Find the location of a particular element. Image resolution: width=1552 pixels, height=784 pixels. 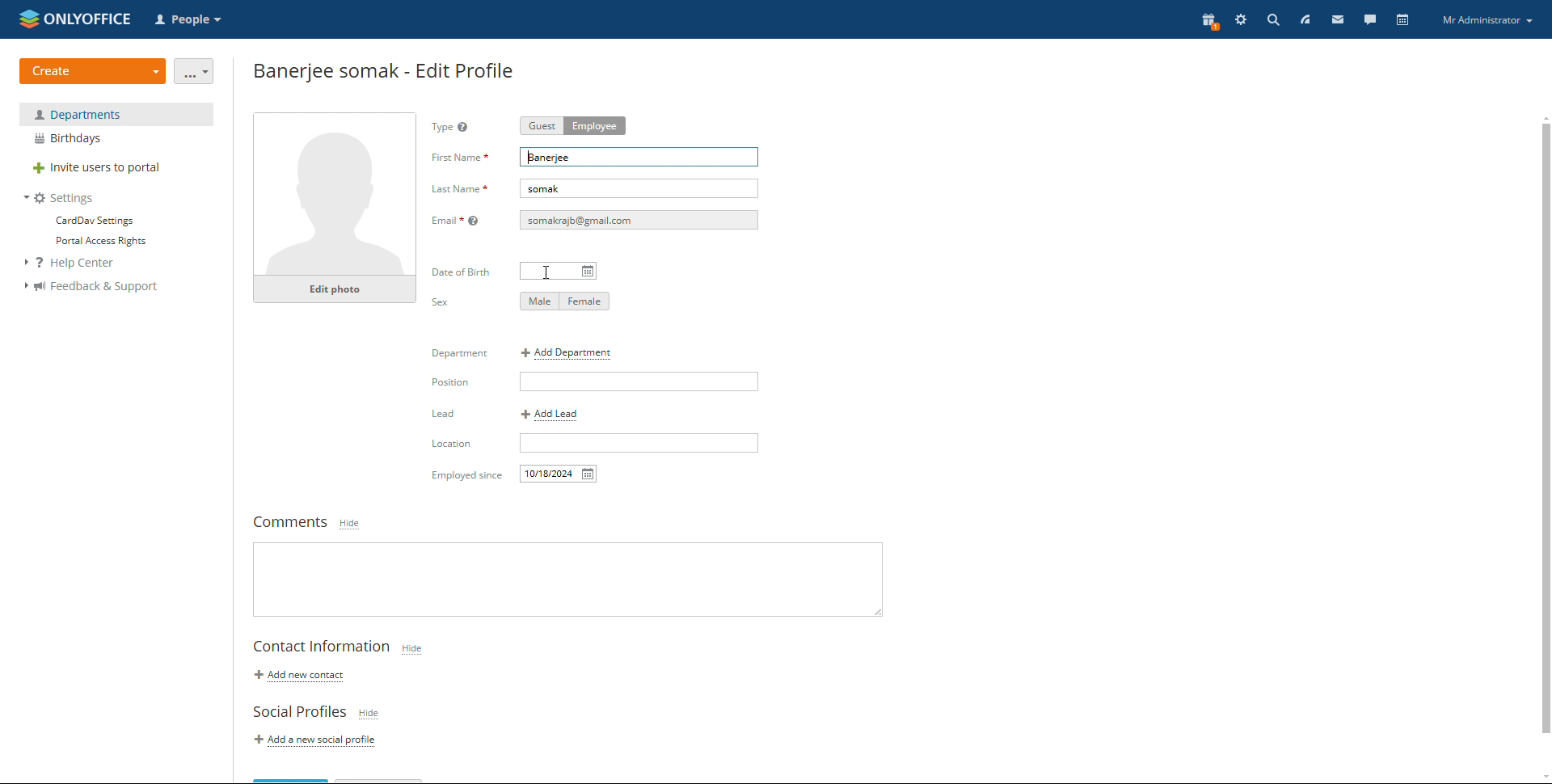

search is located at coordinates (1273, 19).